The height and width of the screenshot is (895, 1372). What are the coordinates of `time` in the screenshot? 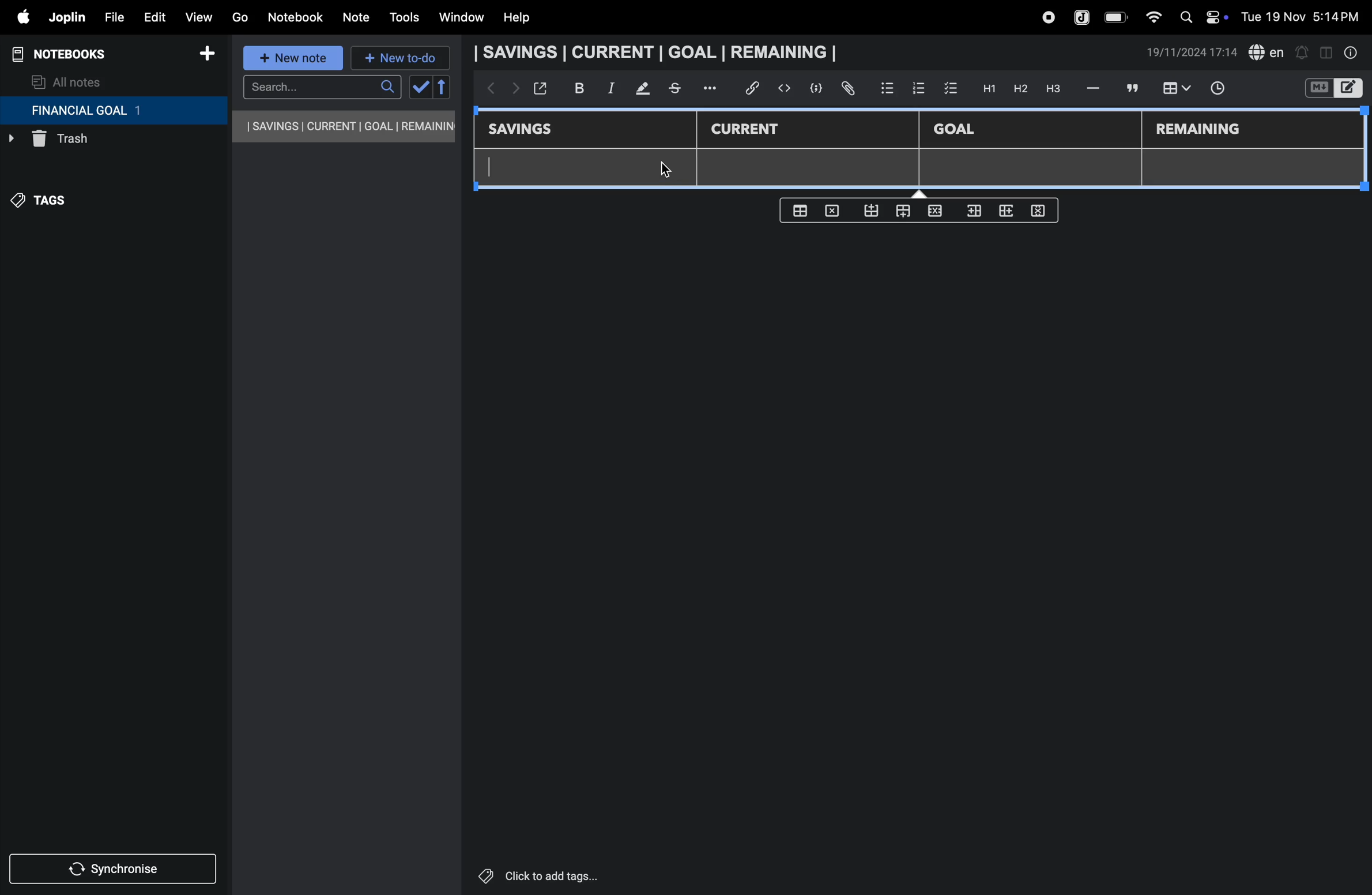 It's located at (1225, 89).